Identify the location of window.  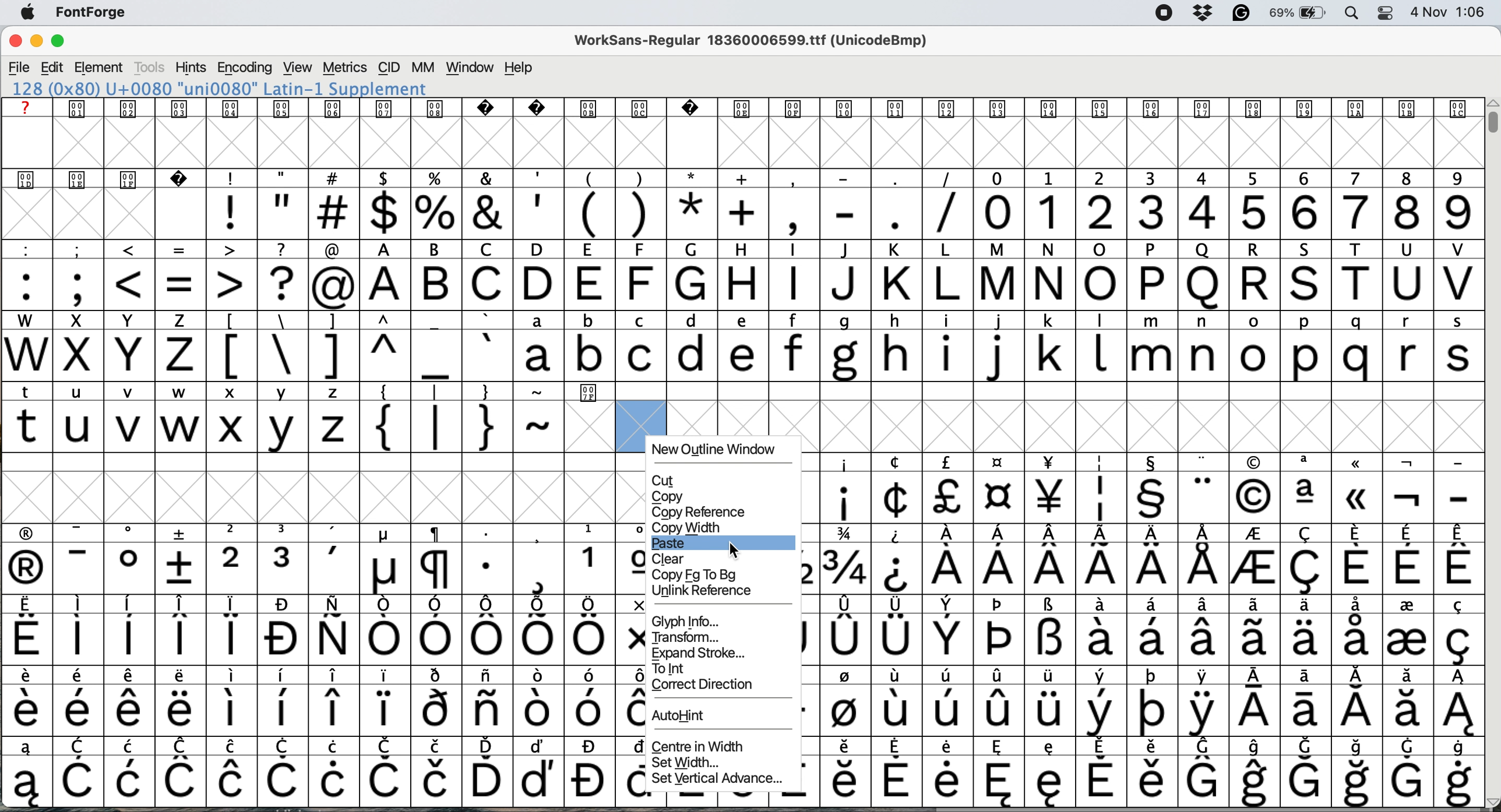
(469, 68).